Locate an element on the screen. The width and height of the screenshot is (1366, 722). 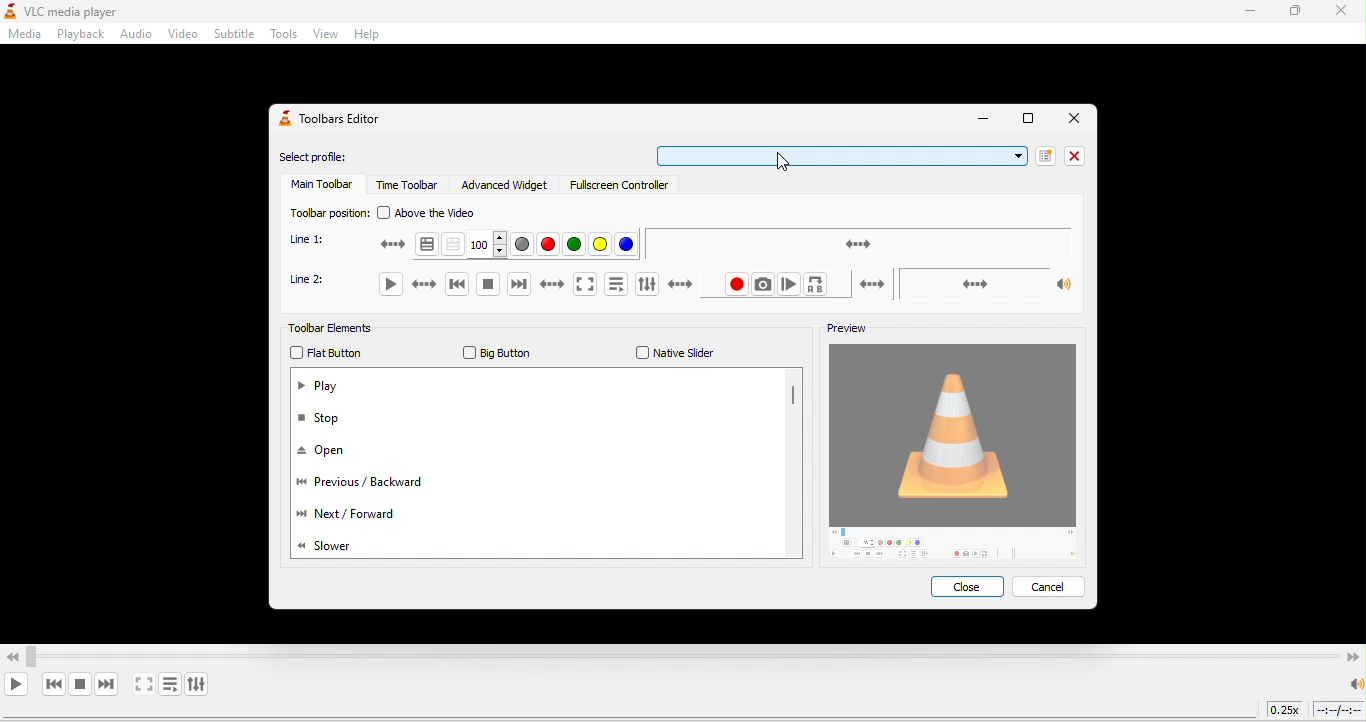
frame by frame is located at coordinates (792, 285).